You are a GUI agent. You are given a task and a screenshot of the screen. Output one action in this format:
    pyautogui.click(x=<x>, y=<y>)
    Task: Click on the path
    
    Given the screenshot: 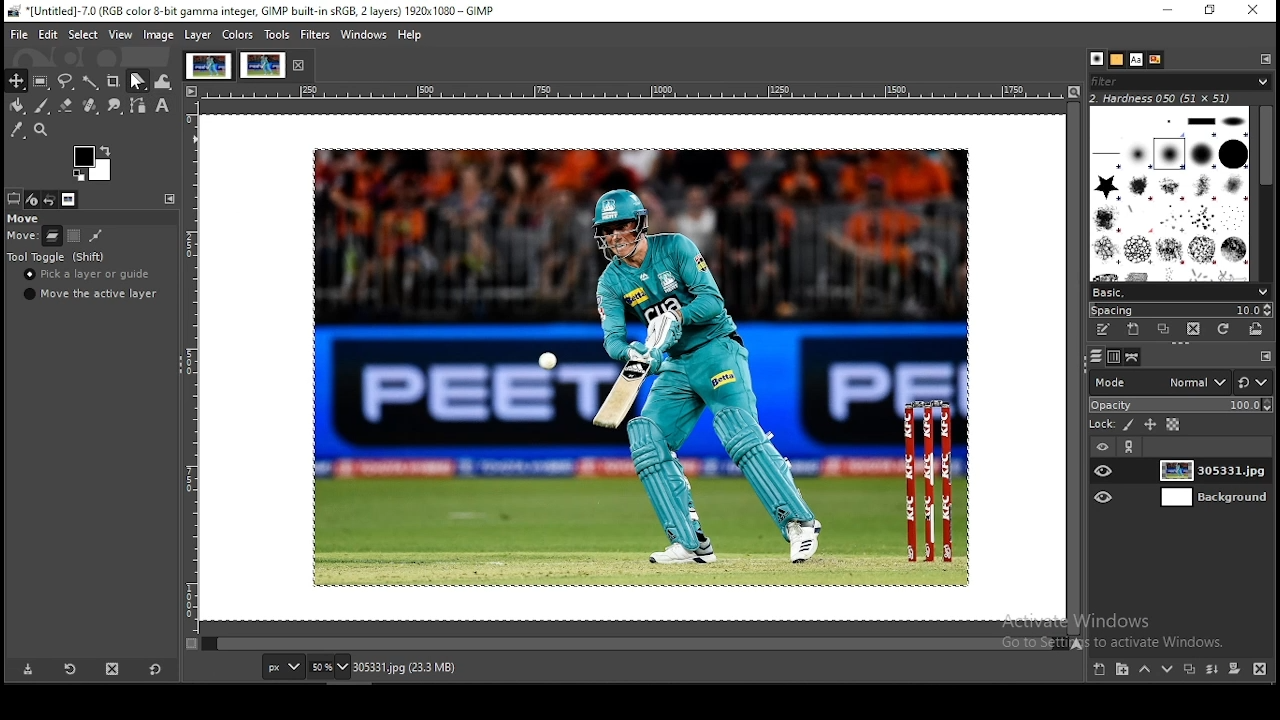 What is the action you would take?
    pyautogui.click(x=100, y=234)
    